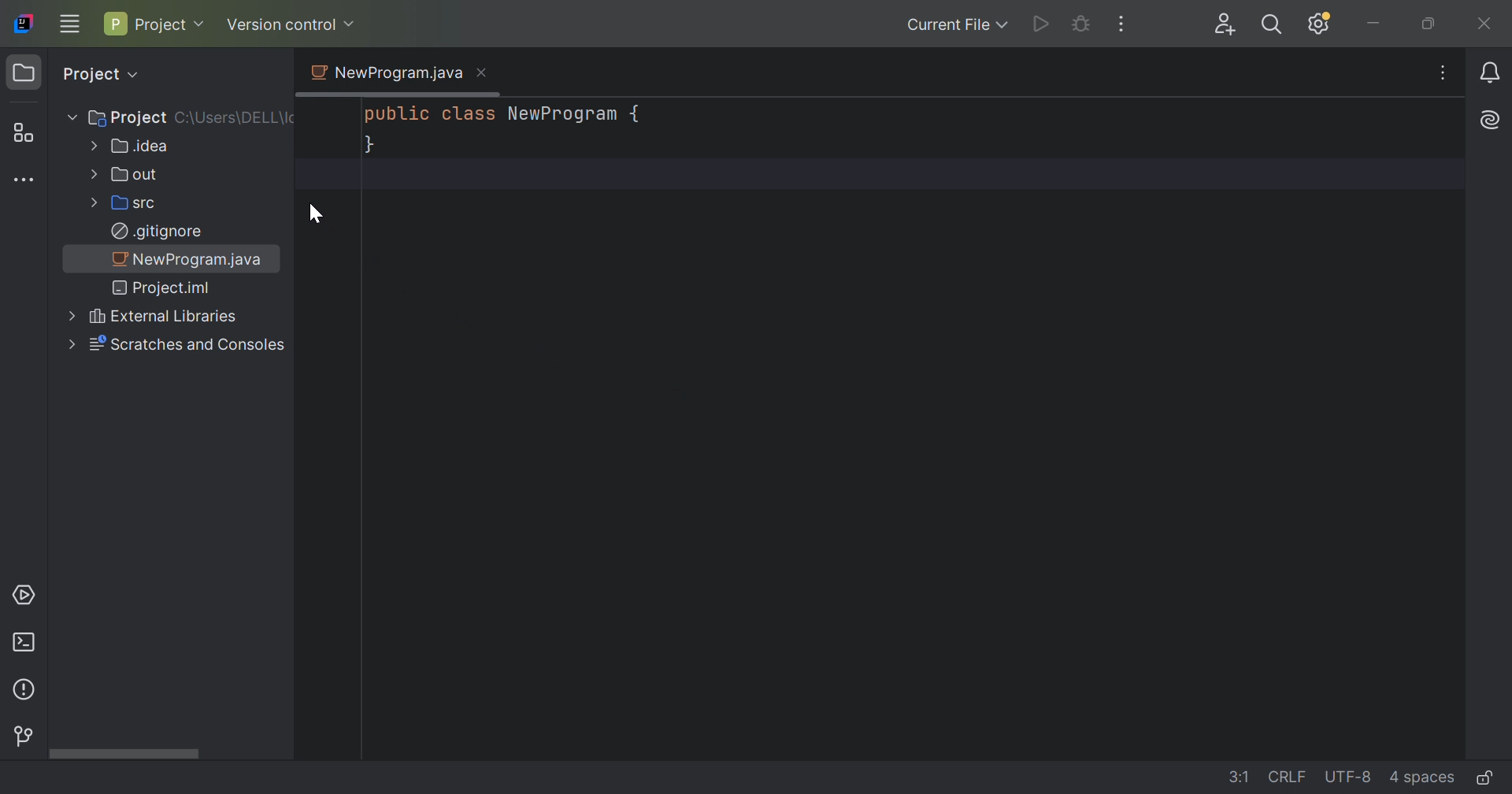  What do you see at coordinates (135, 173) in the screenshot?
I see `out` at bounding box center [135, 173].